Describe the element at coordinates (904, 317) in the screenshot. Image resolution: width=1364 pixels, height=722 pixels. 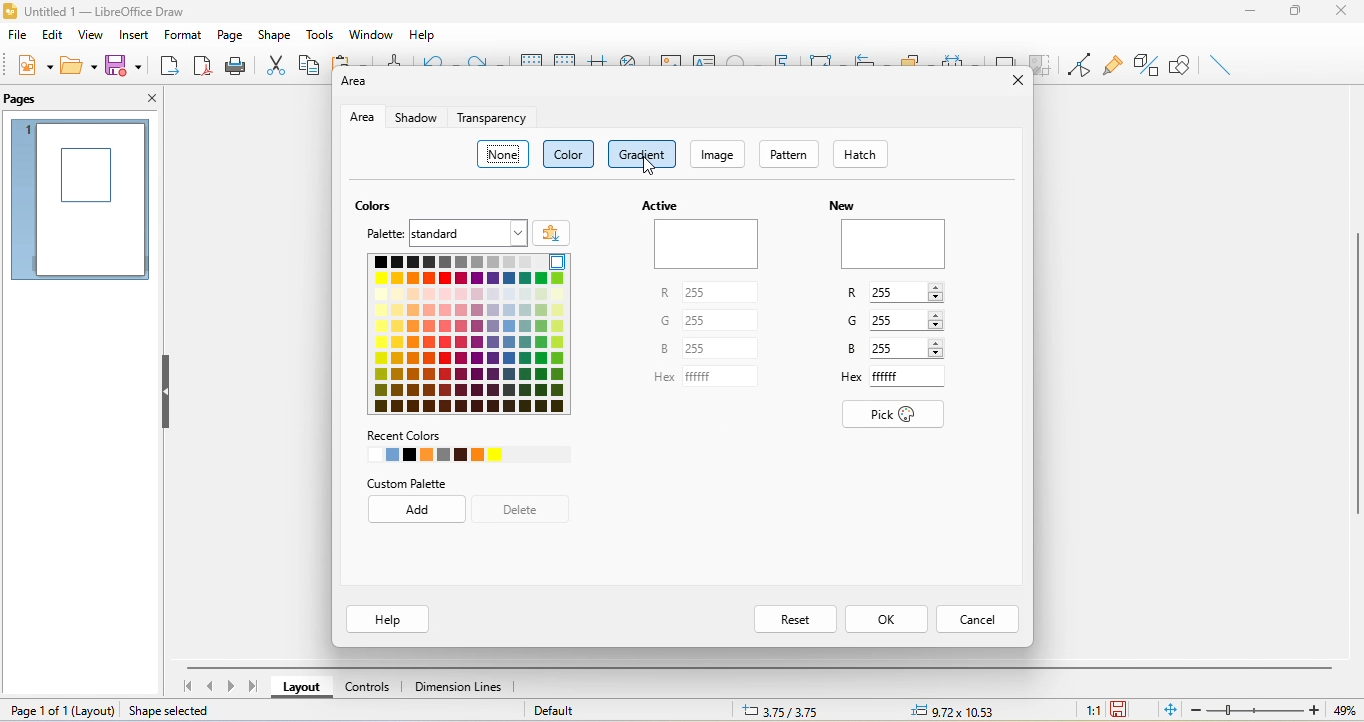
I see `255` at that location.